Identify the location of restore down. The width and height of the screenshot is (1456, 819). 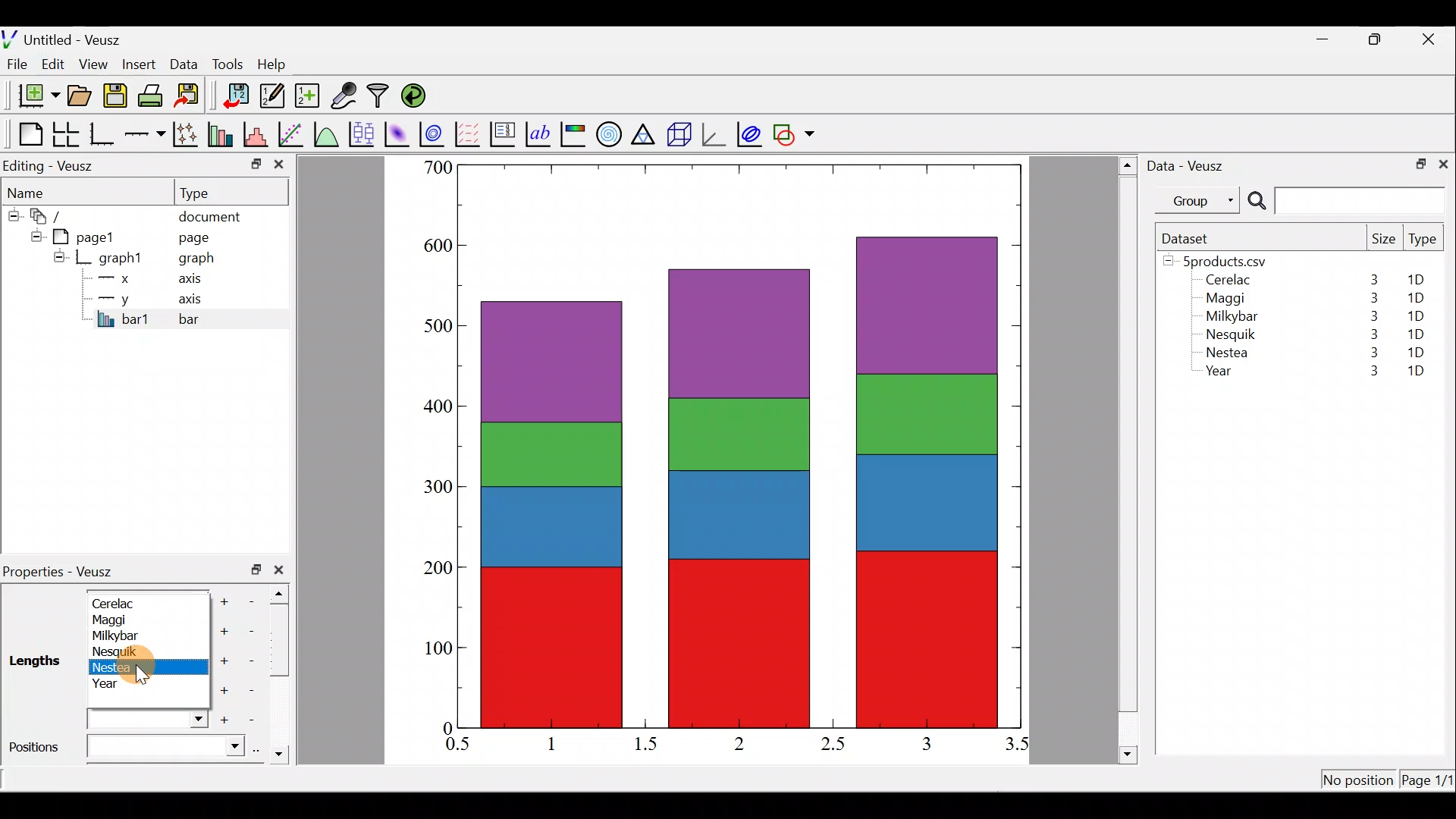
(1416, 162).